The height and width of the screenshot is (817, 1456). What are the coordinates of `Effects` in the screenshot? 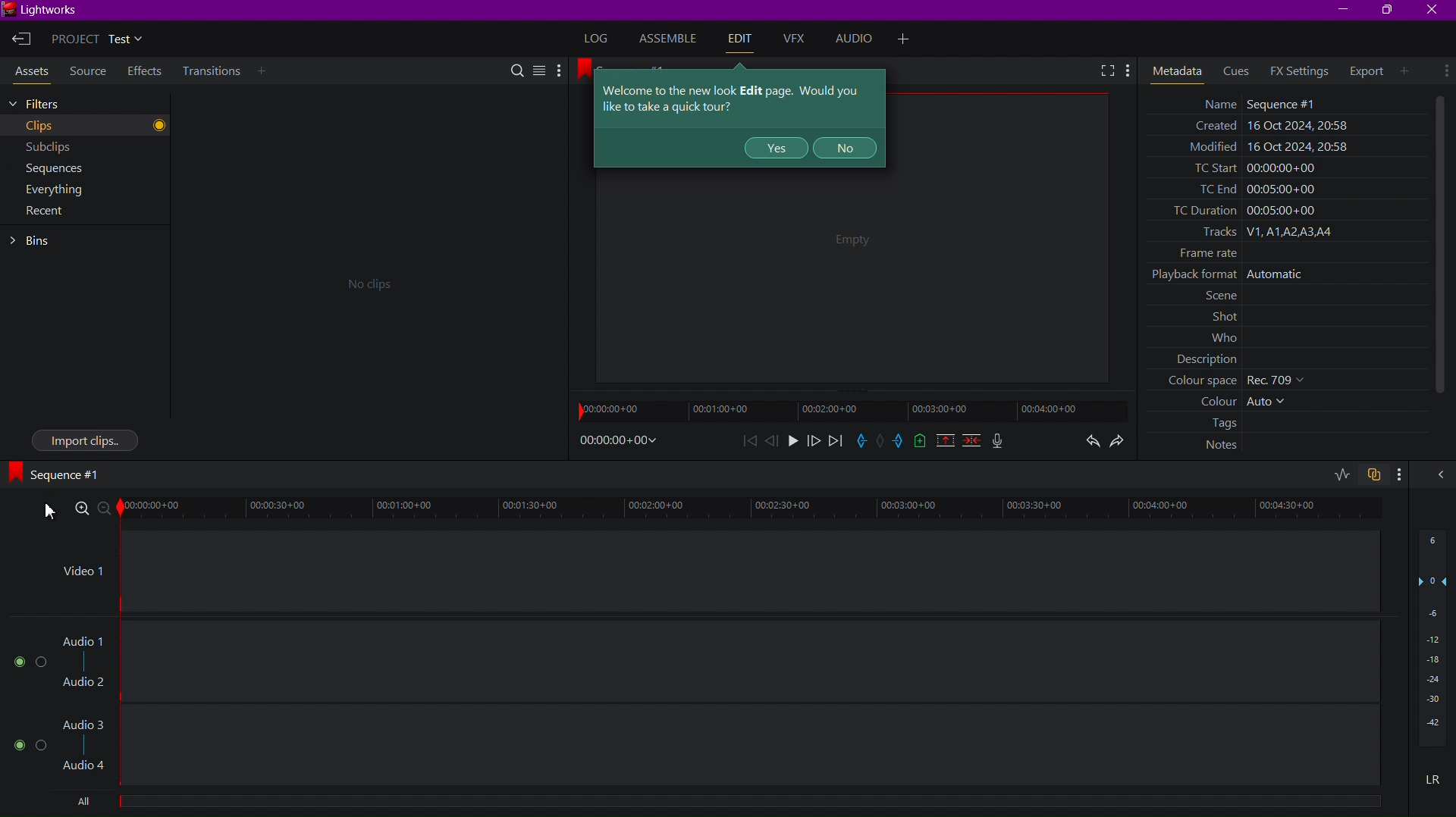 It's located at (144, 70).